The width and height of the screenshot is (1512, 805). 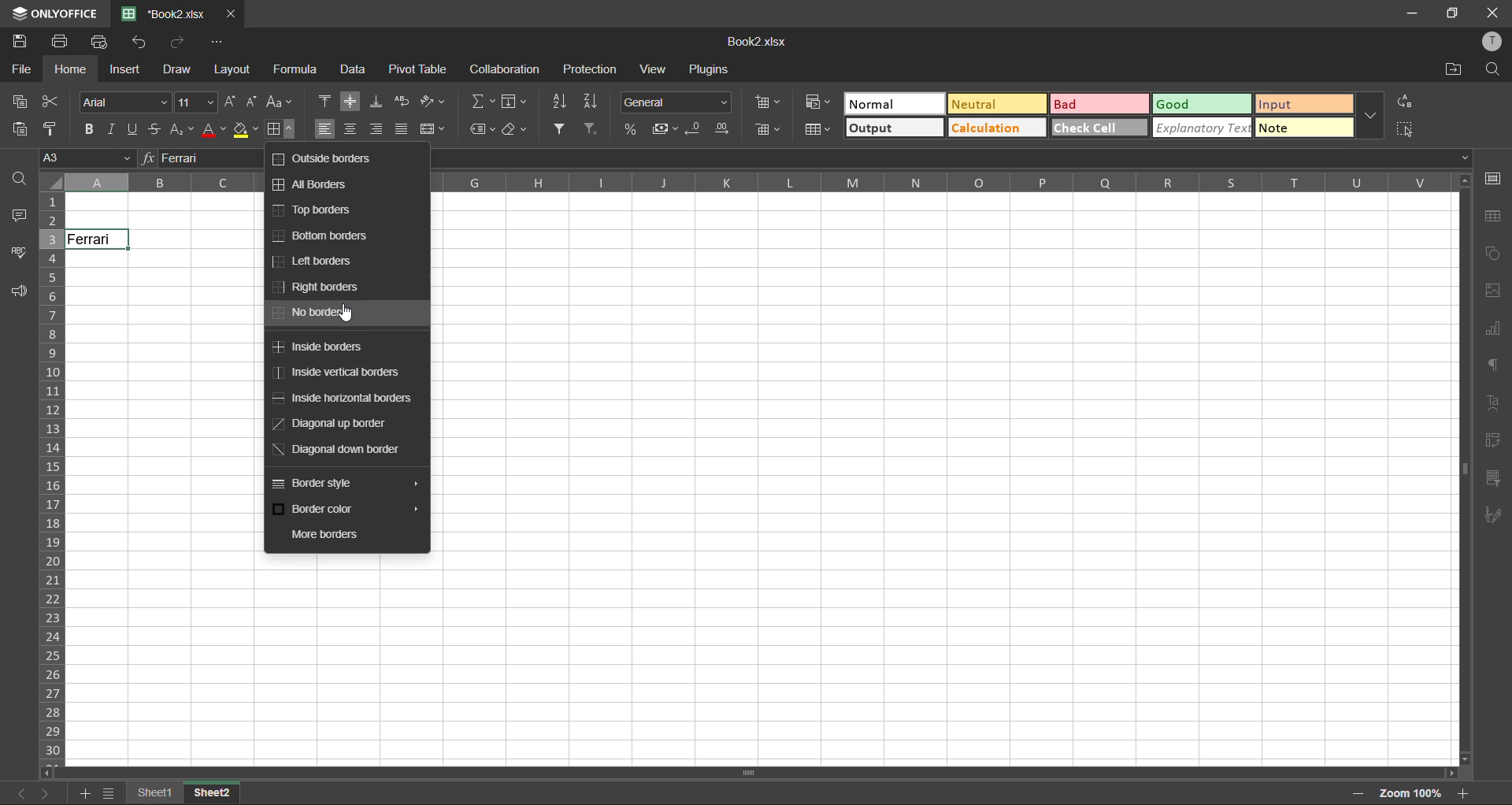 What do you see at coordinates (1462, 182) in the screenshot?
I see `scroll up` at bounding box center [1462, 182].